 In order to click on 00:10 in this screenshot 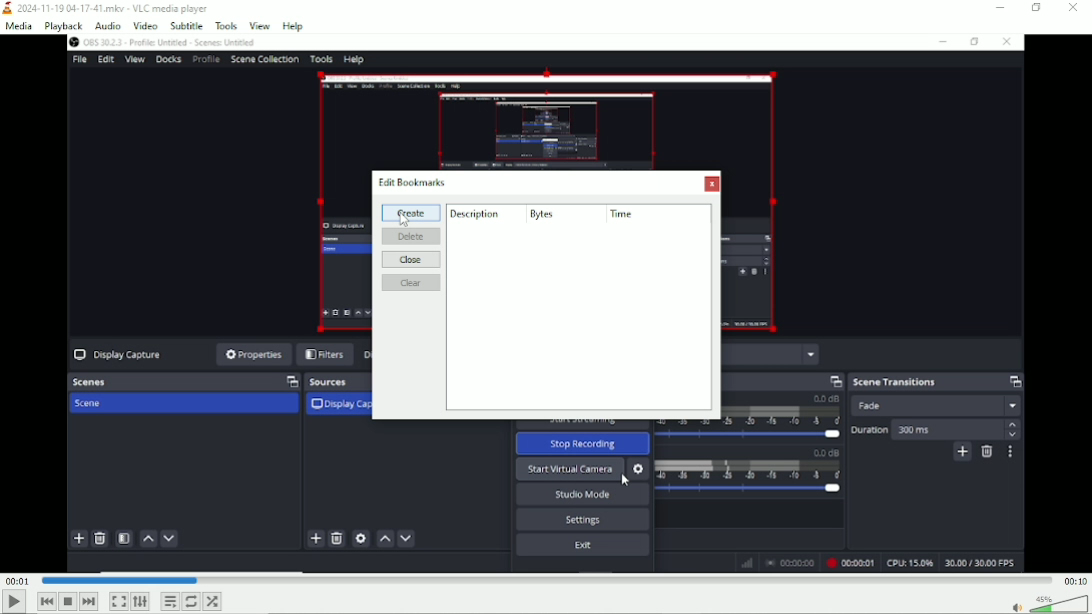, I will do `click(1076, 580)`.